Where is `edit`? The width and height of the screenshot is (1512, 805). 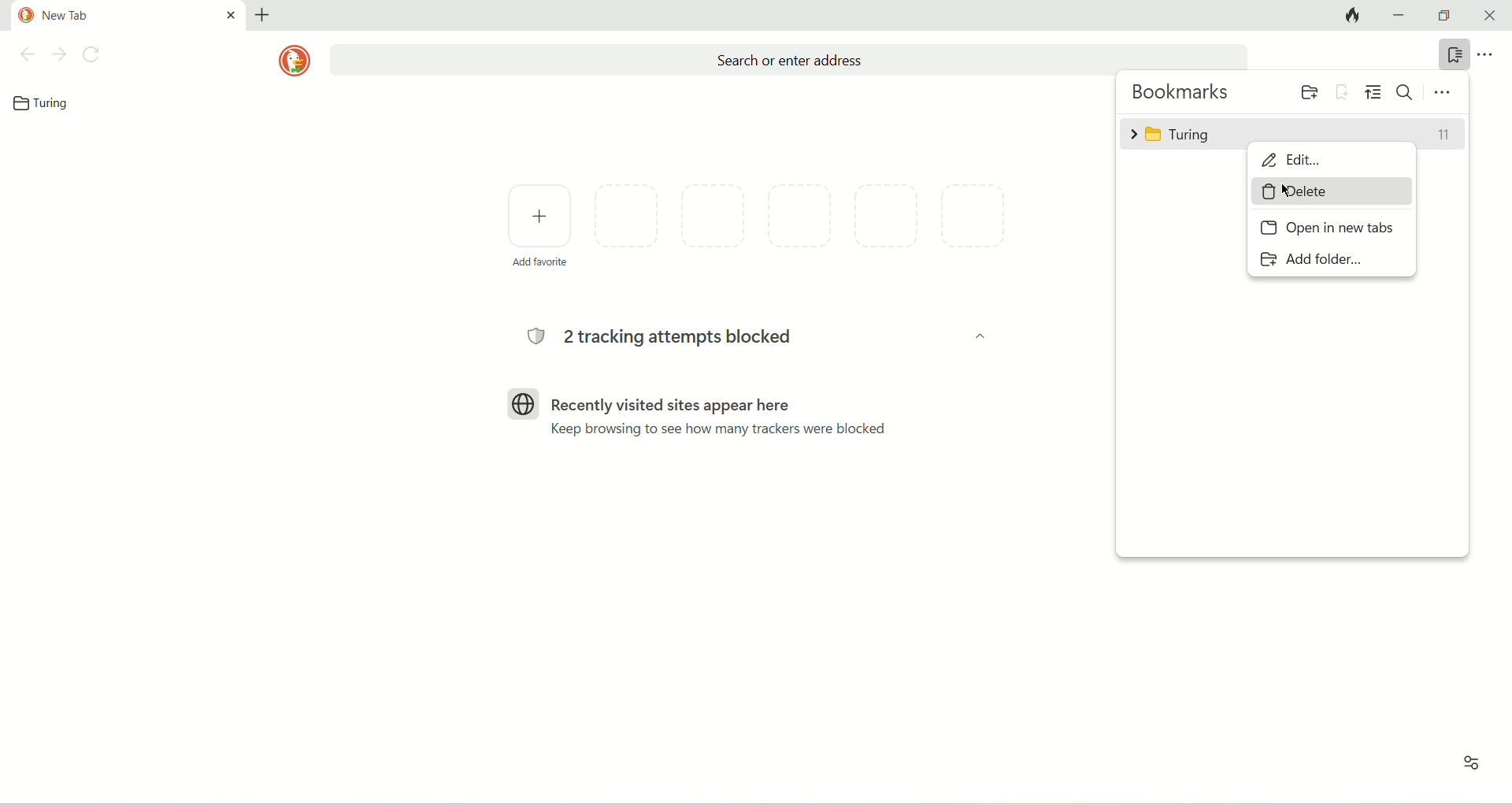
edit is located at coordinates (1333, 162).